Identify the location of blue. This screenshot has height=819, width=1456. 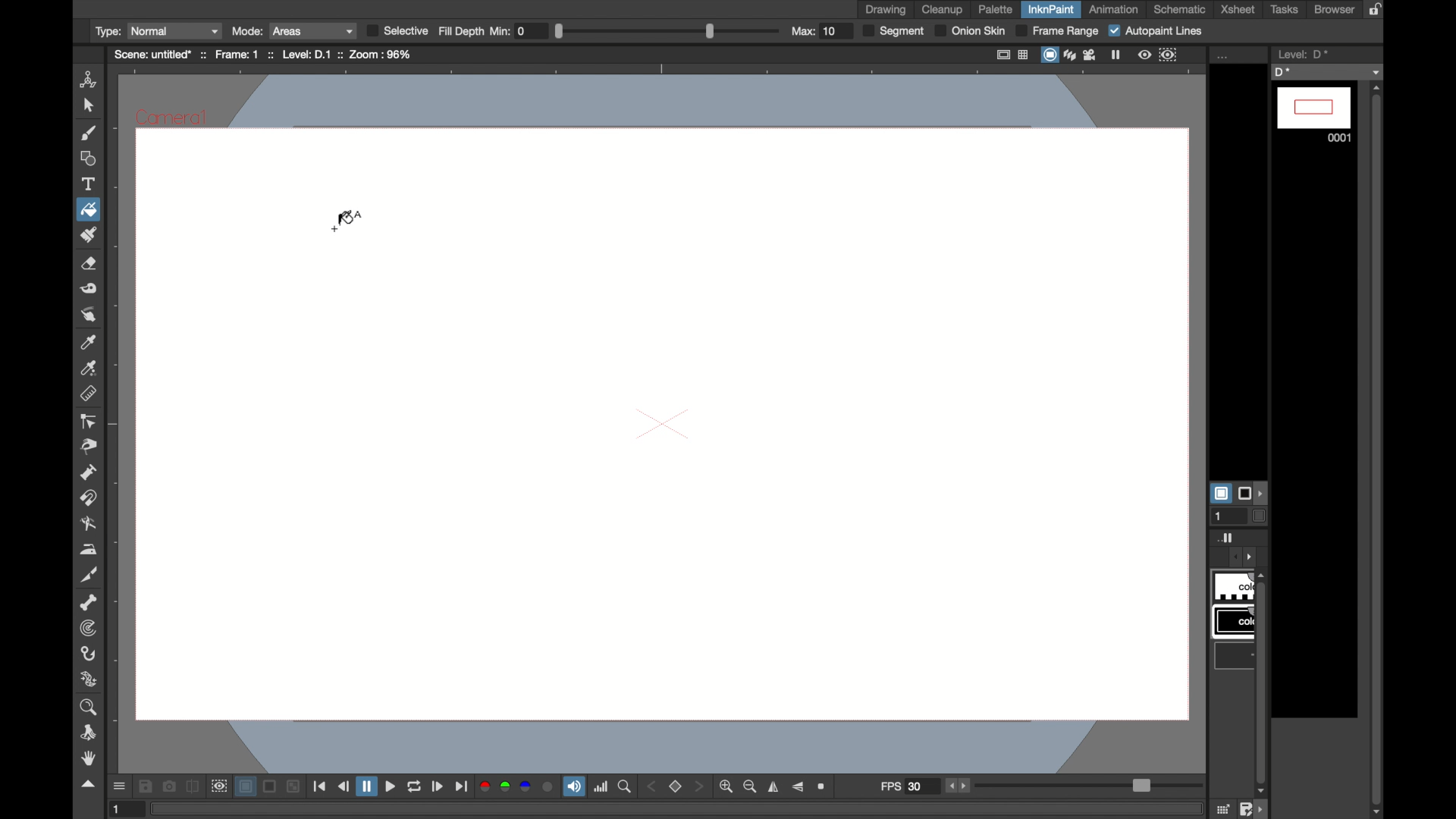
(526, 787).